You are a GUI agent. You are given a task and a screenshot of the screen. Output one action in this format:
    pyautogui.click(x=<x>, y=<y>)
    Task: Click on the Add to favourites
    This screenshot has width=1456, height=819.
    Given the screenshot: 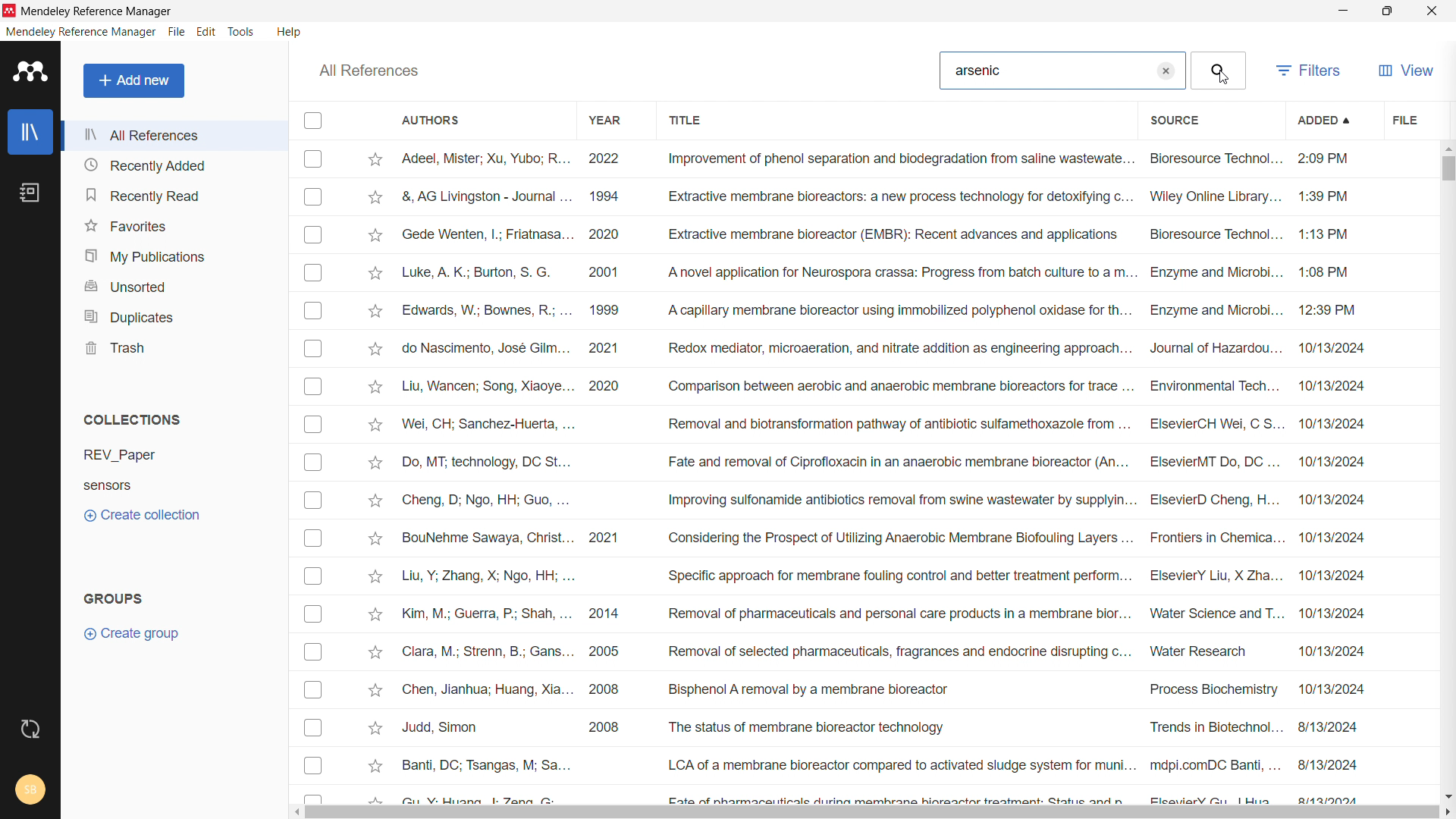 What is the action you would take?
    pyautogui.click(x=375, y=767)
    